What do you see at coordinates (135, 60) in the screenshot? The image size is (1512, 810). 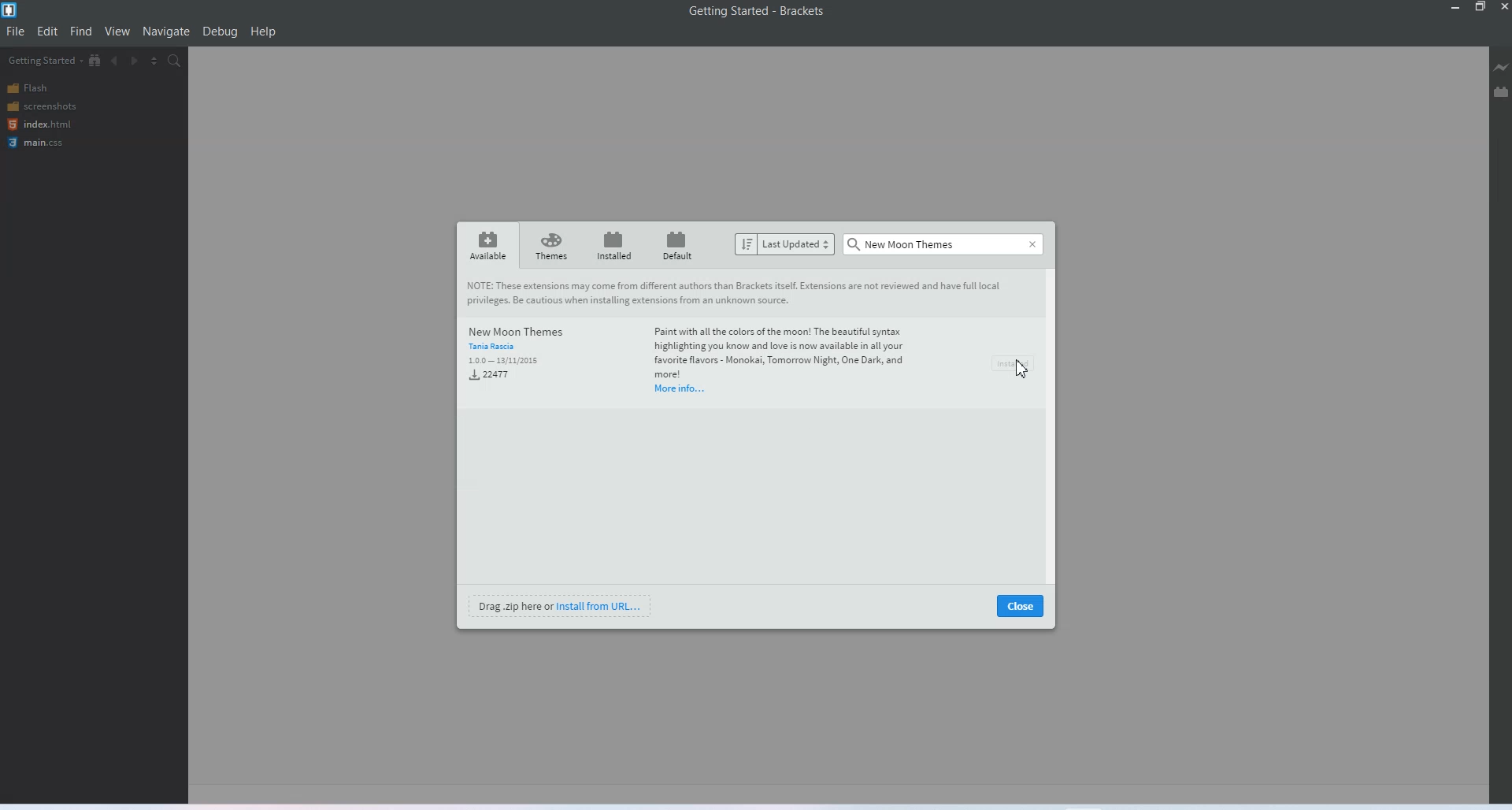 I see `Navigate forward` at bounding box center [135, 60].